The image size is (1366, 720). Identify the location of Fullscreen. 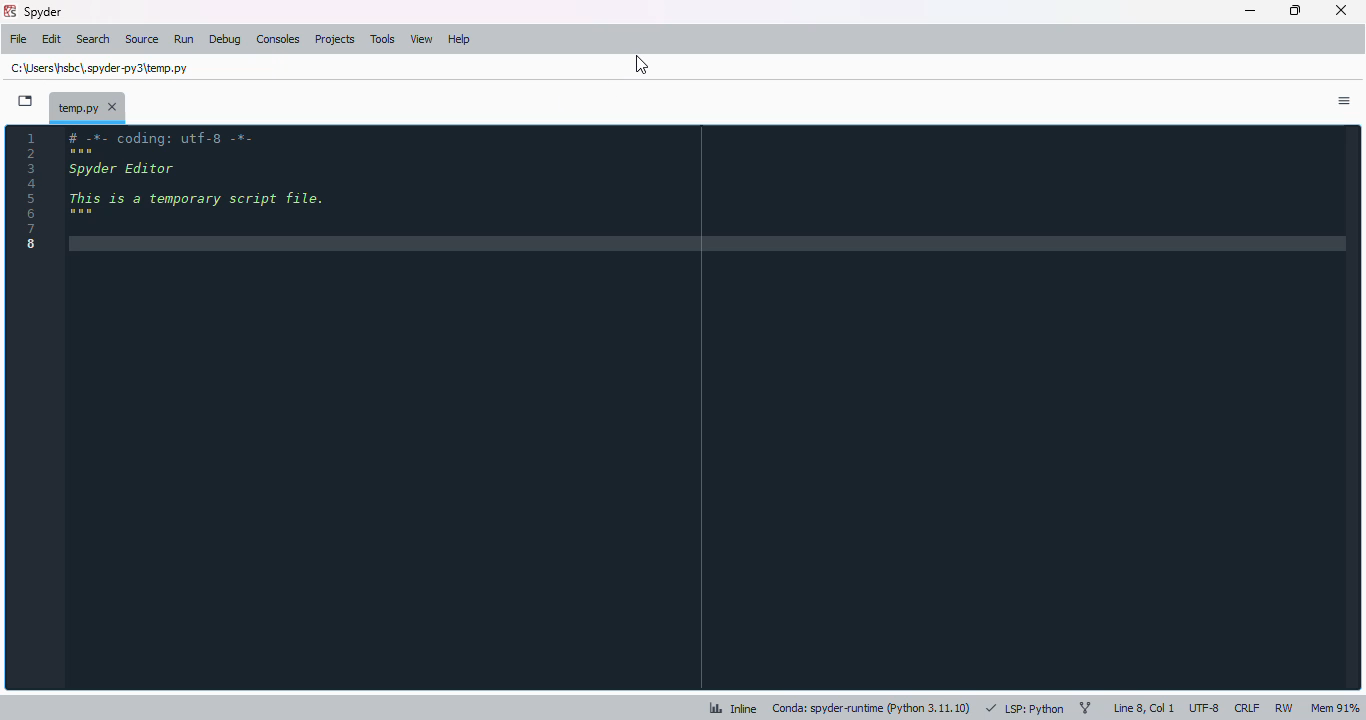
(26, 101).